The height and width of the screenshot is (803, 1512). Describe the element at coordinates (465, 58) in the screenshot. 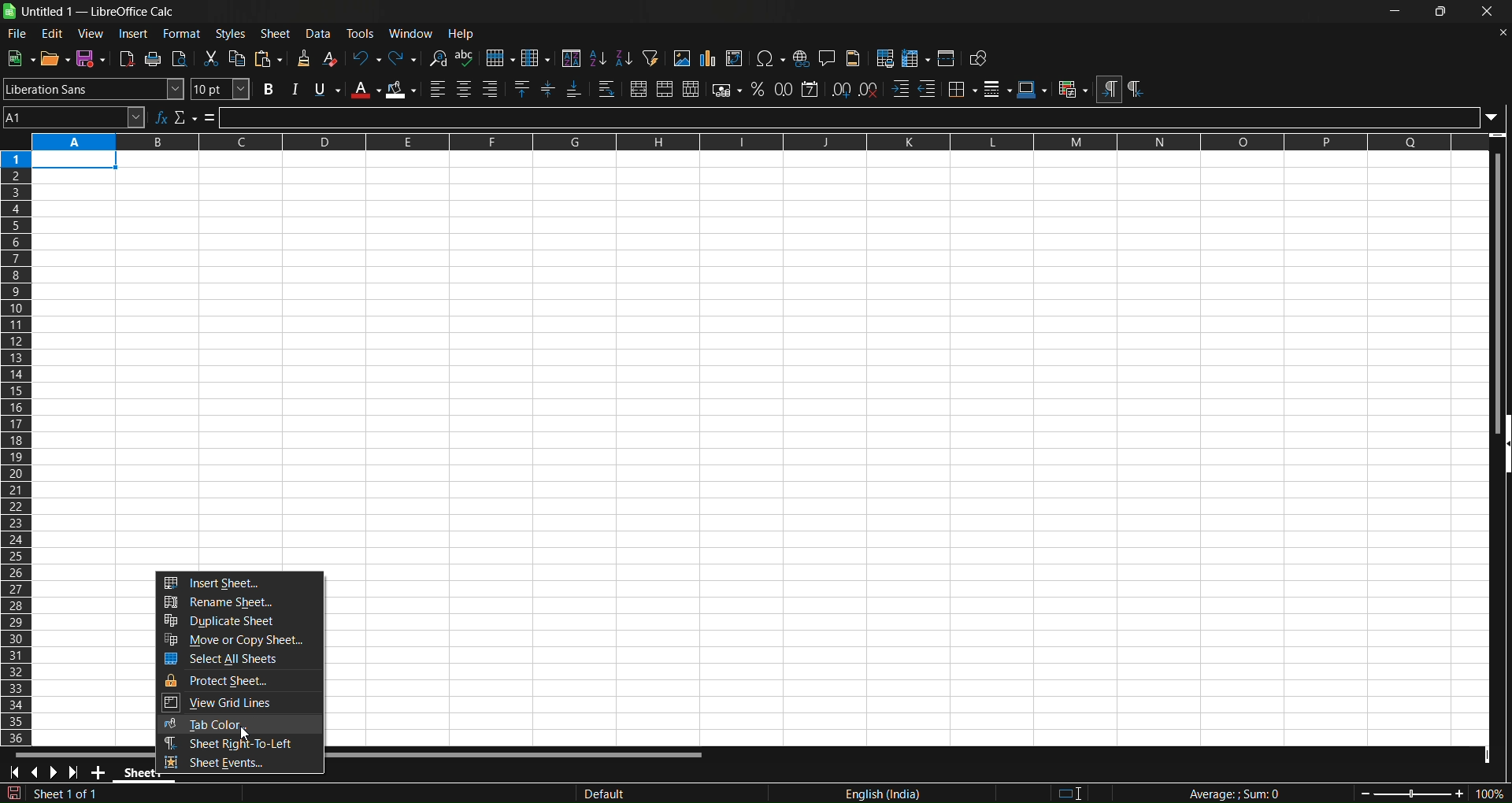

I see `spelling` at that location.